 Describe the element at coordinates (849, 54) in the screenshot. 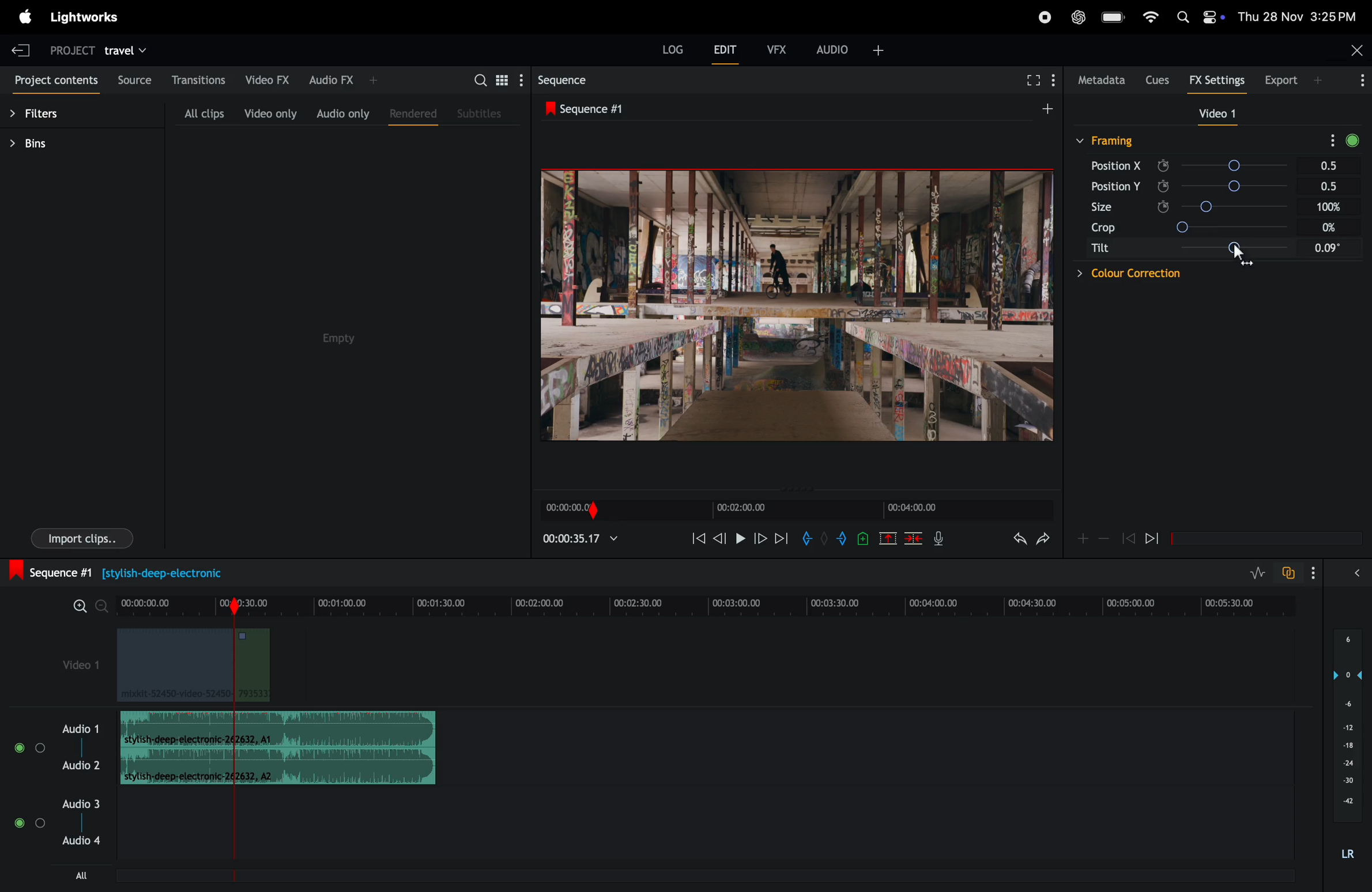

I see `add audio` at that location.